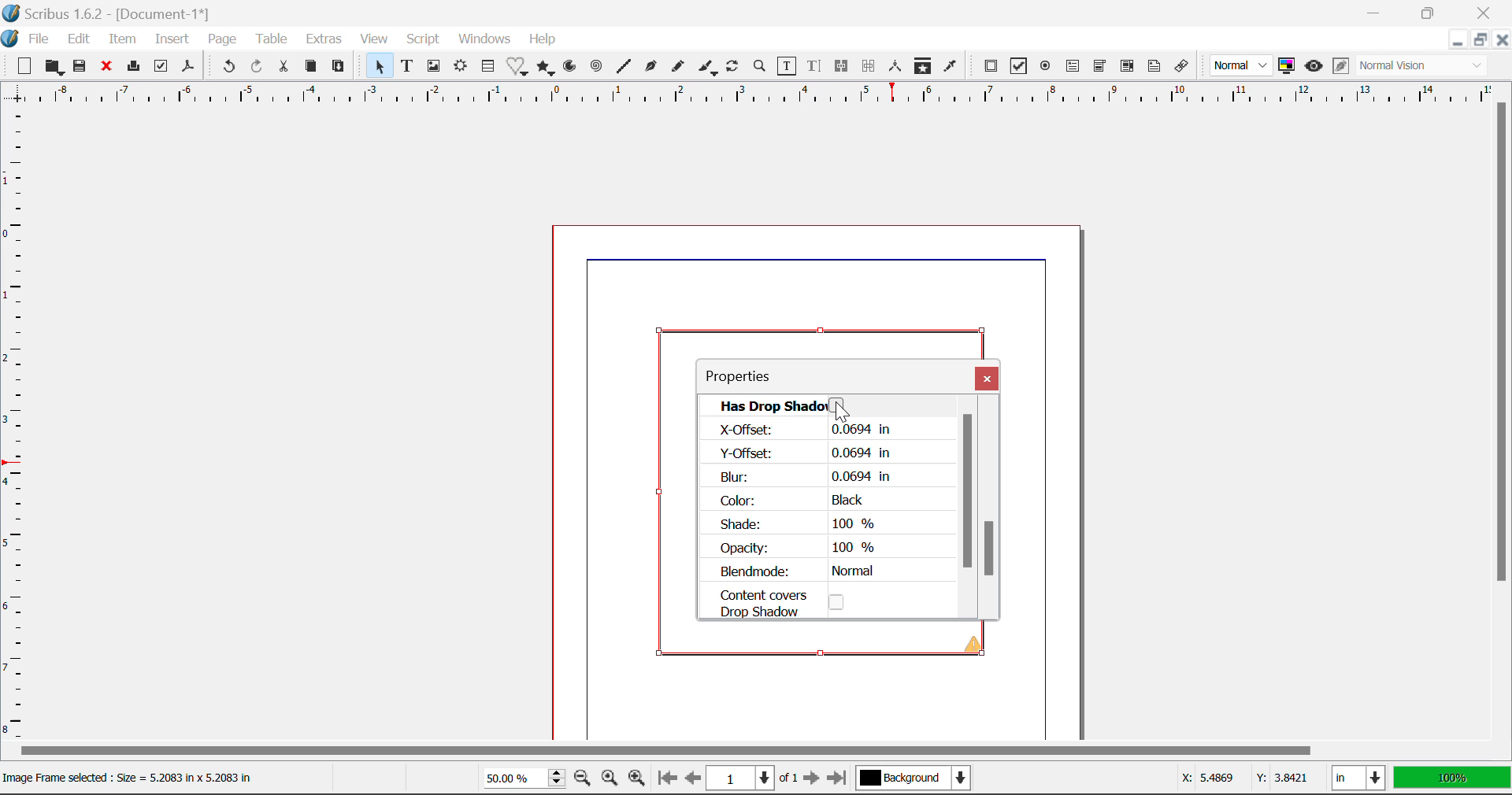 Image resolution: width=1512 pixels, height=795 pixels. What do you see at coordinates (950, 68) in the screenshot?
I see `Eyedropper` at bounding box center [950, 68].